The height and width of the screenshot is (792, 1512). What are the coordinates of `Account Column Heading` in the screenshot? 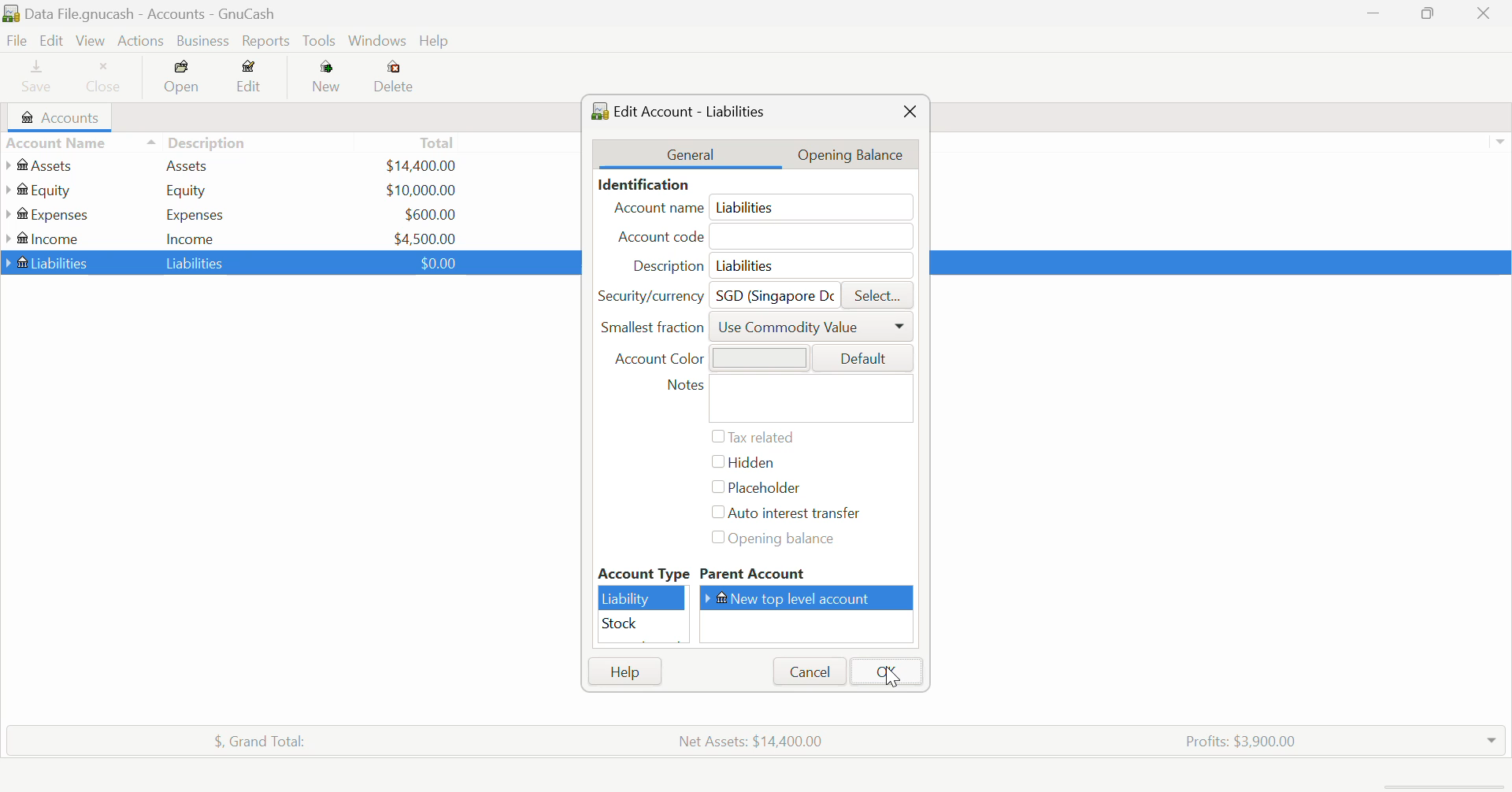 It's located at (60, 144).